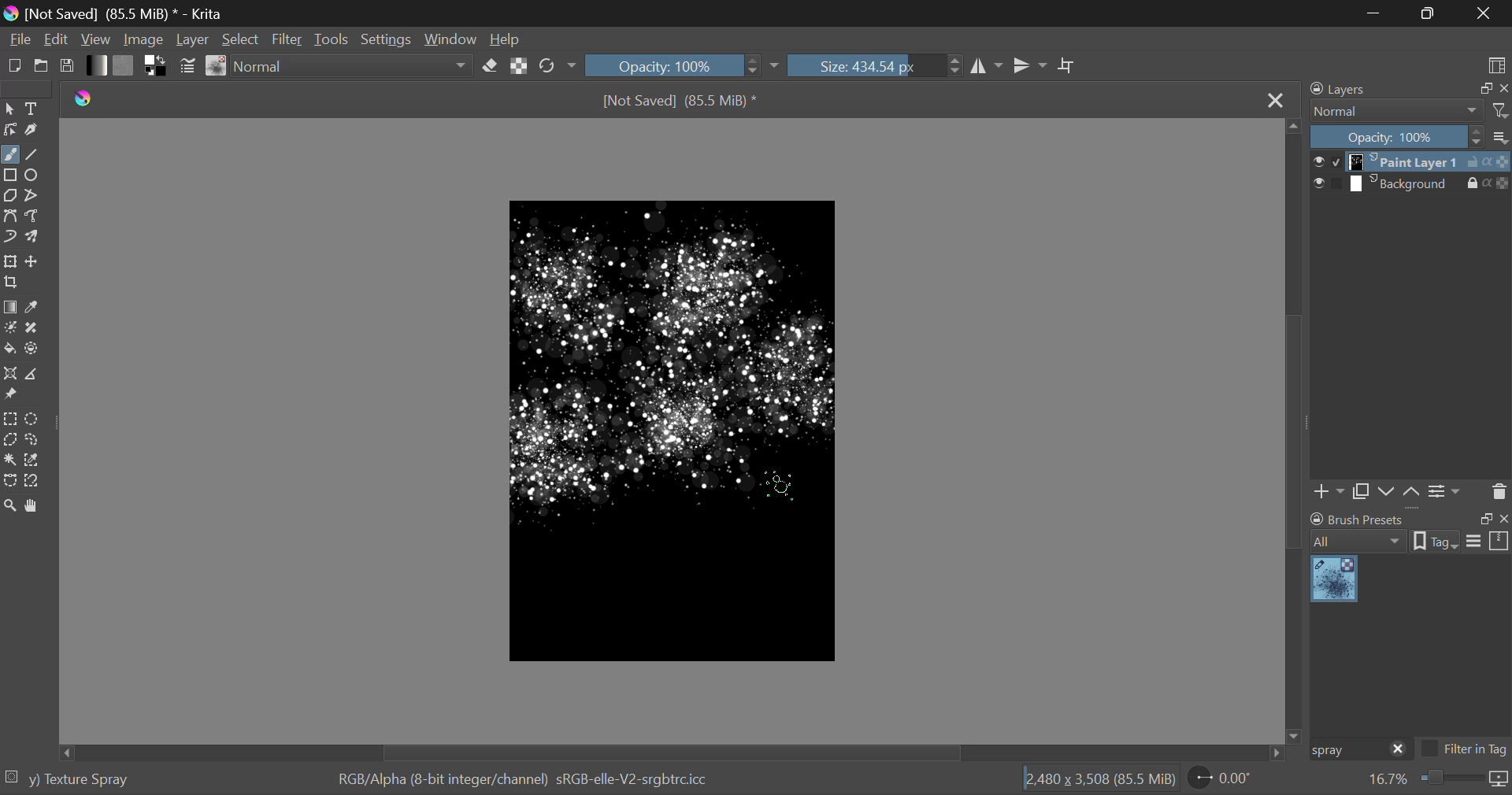  I want to click on Multibrush, so click(32, 235).